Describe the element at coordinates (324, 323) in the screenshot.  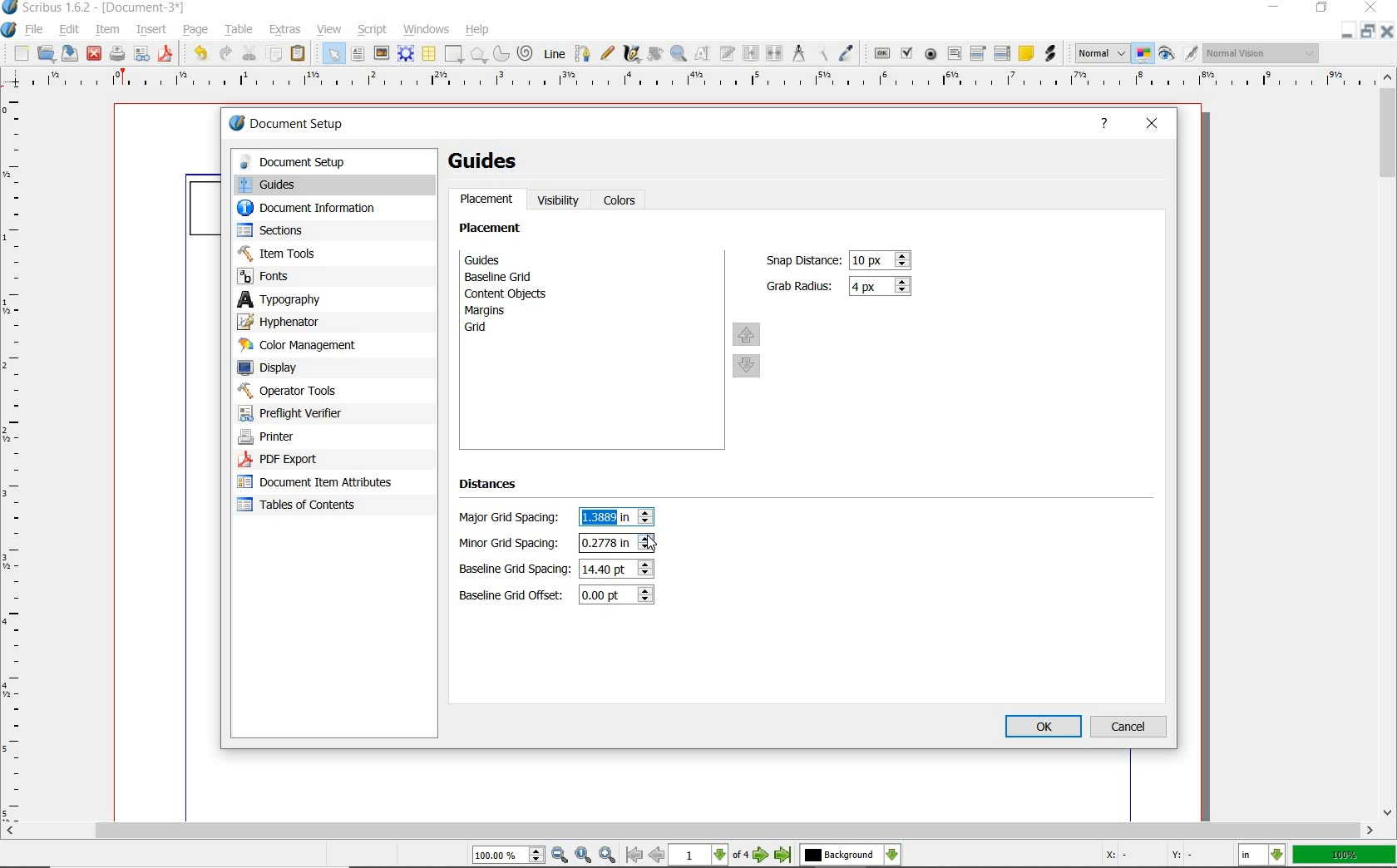
I see `hyphenator` at that location.